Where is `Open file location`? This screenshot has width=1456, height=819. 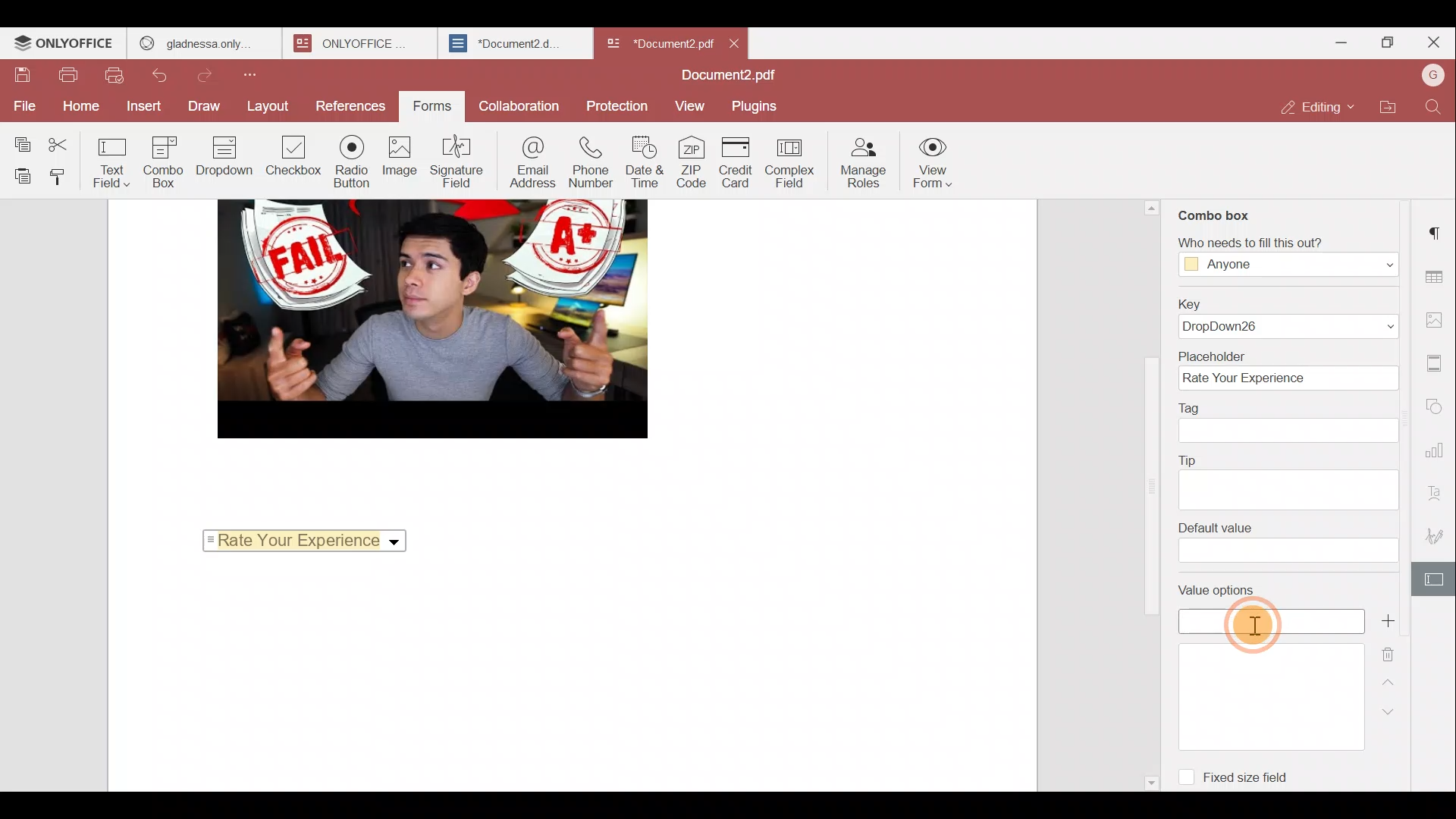 Open file location is located at coordinates (1385, 110).